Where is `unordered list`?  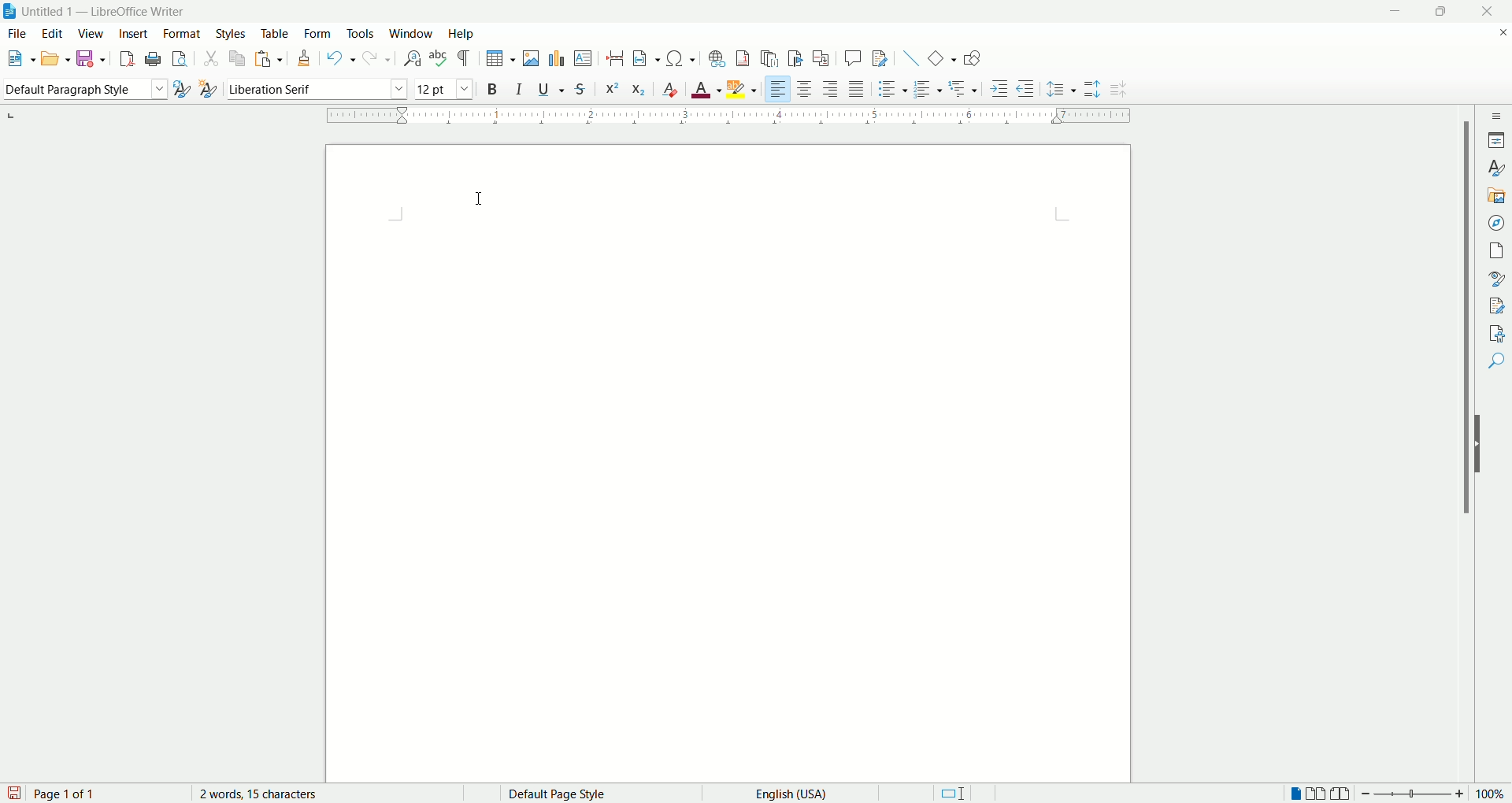
unordered list is located at coordinates (888, 91).